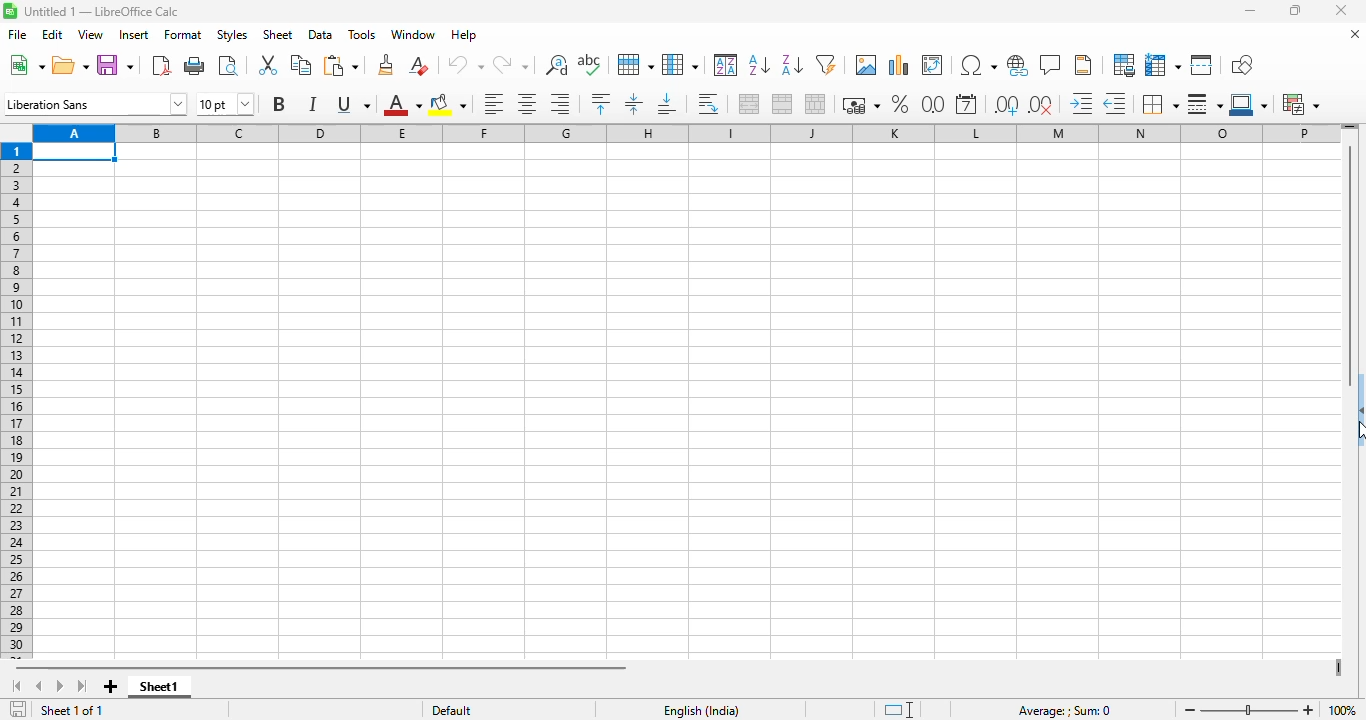 The image size is (1366, 720). I want to click on export directly as PDF, so click(162, 65).